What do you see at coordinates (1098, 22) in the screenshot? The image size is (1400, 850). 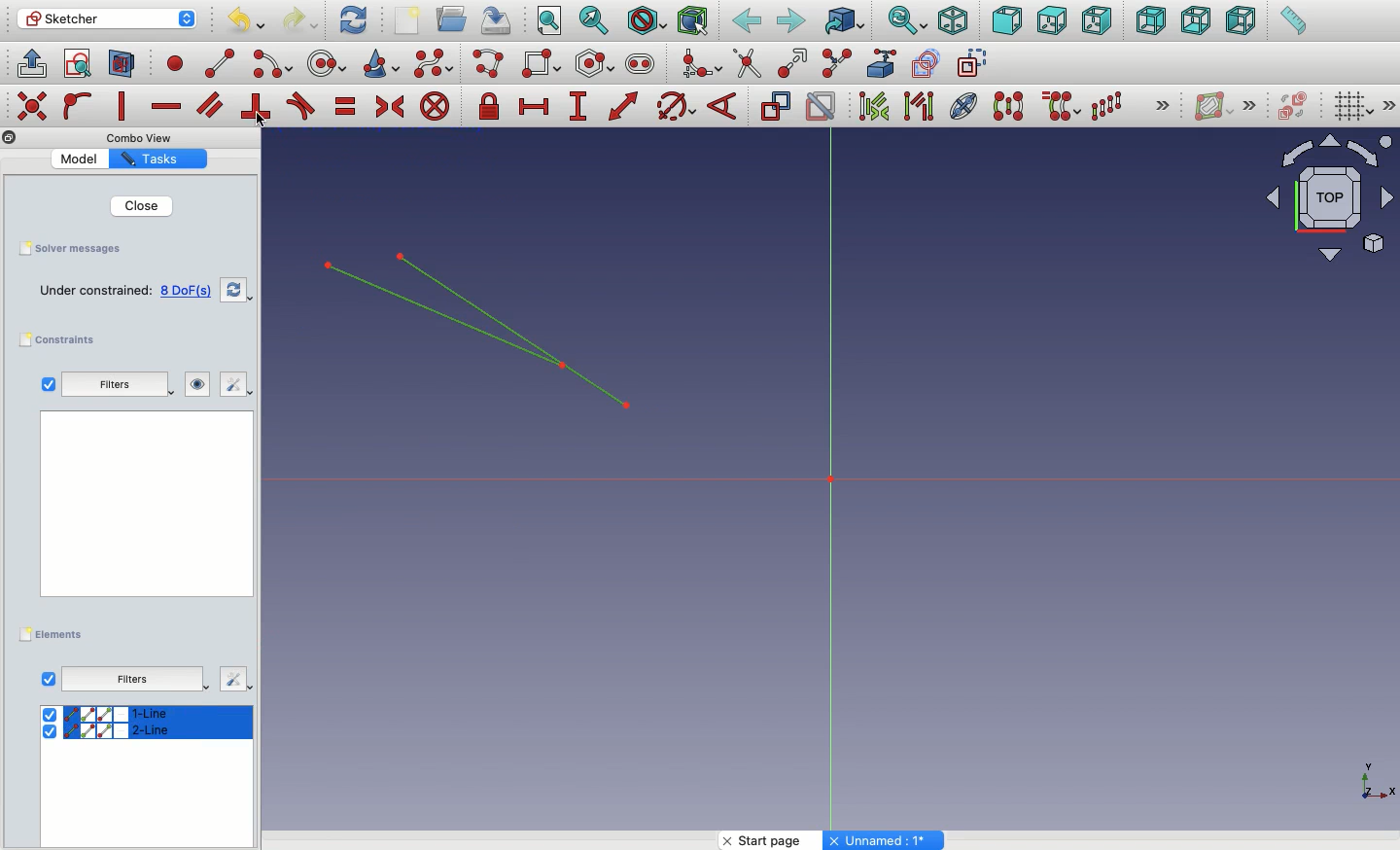 I see `Right` at bounding box center [1098, 22].